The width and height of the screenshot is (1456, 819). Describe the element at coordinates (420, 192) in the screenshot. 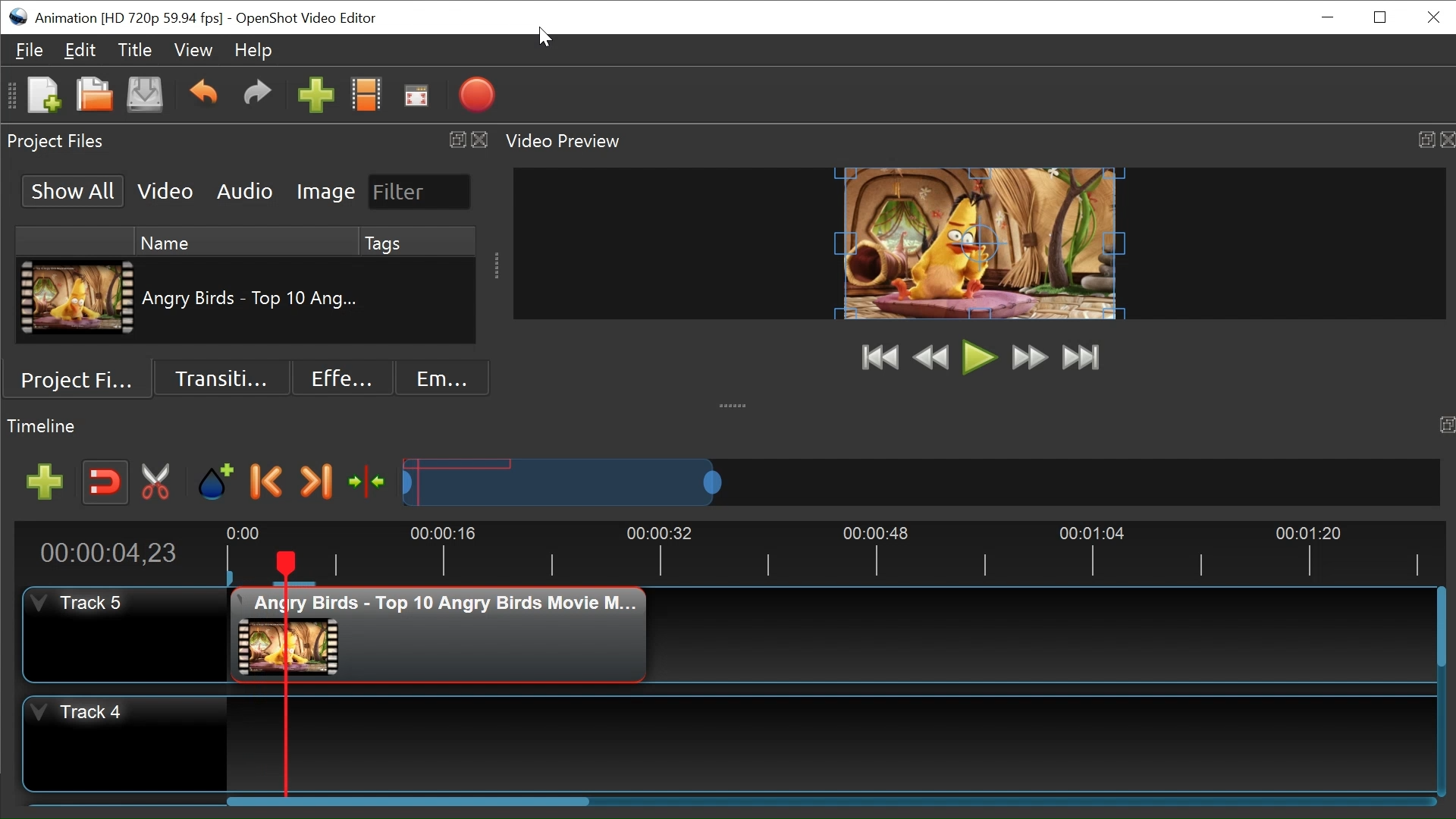

I see `Filter` at that location.